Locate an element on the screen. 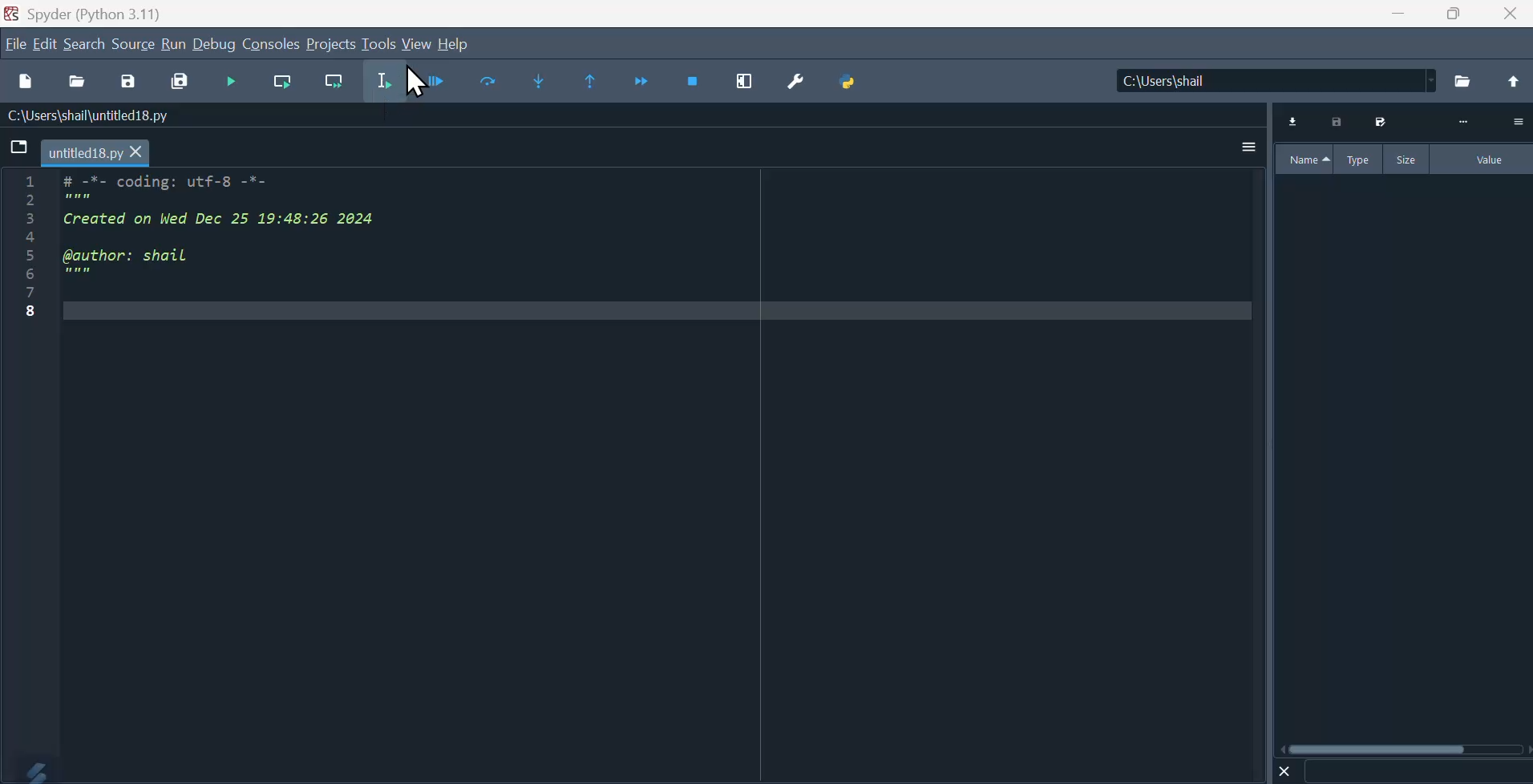 The image size is (1533, 784). File is located at coordinates (20, 148).